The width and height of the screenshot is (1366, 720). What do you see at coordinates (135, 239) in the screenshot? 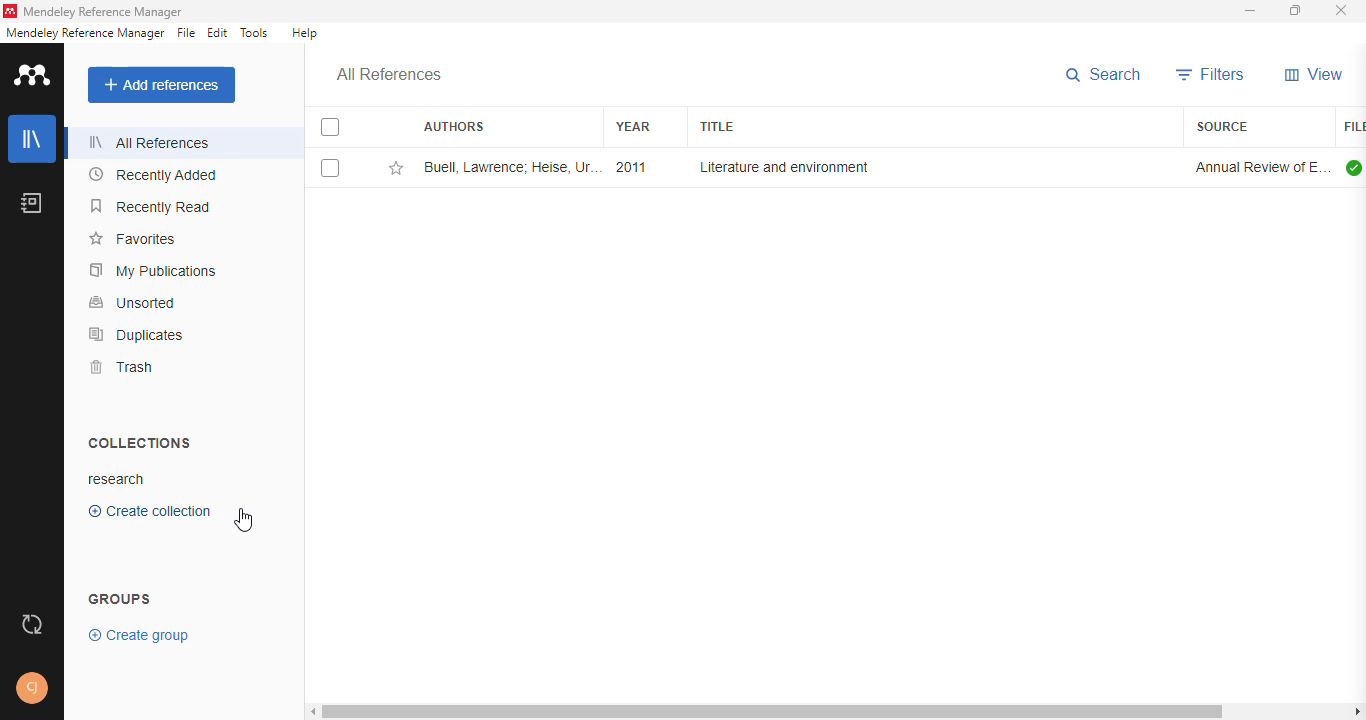
I see `favorites` at bounding box center [135, 239].